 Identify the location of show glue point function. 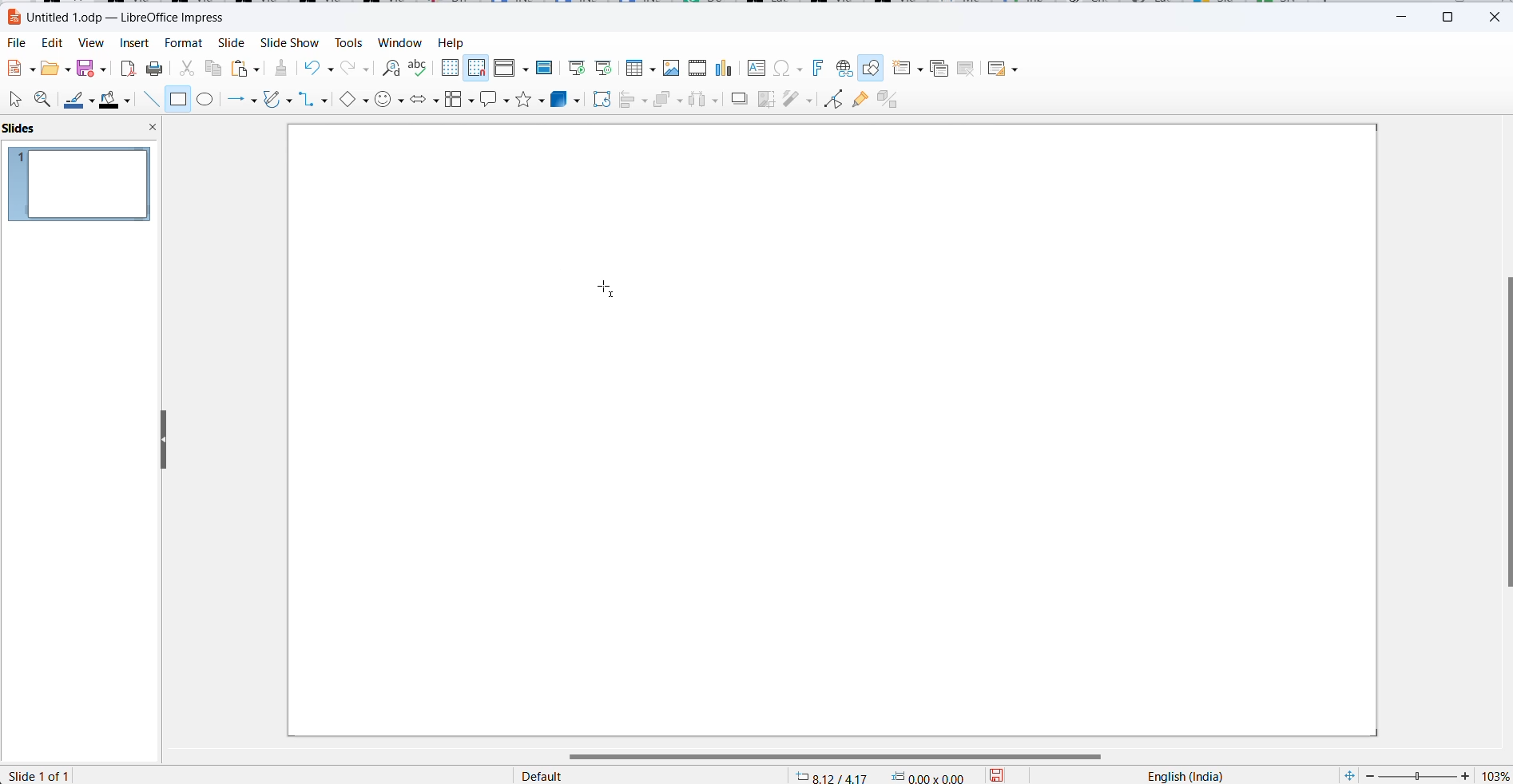
(859, 101).